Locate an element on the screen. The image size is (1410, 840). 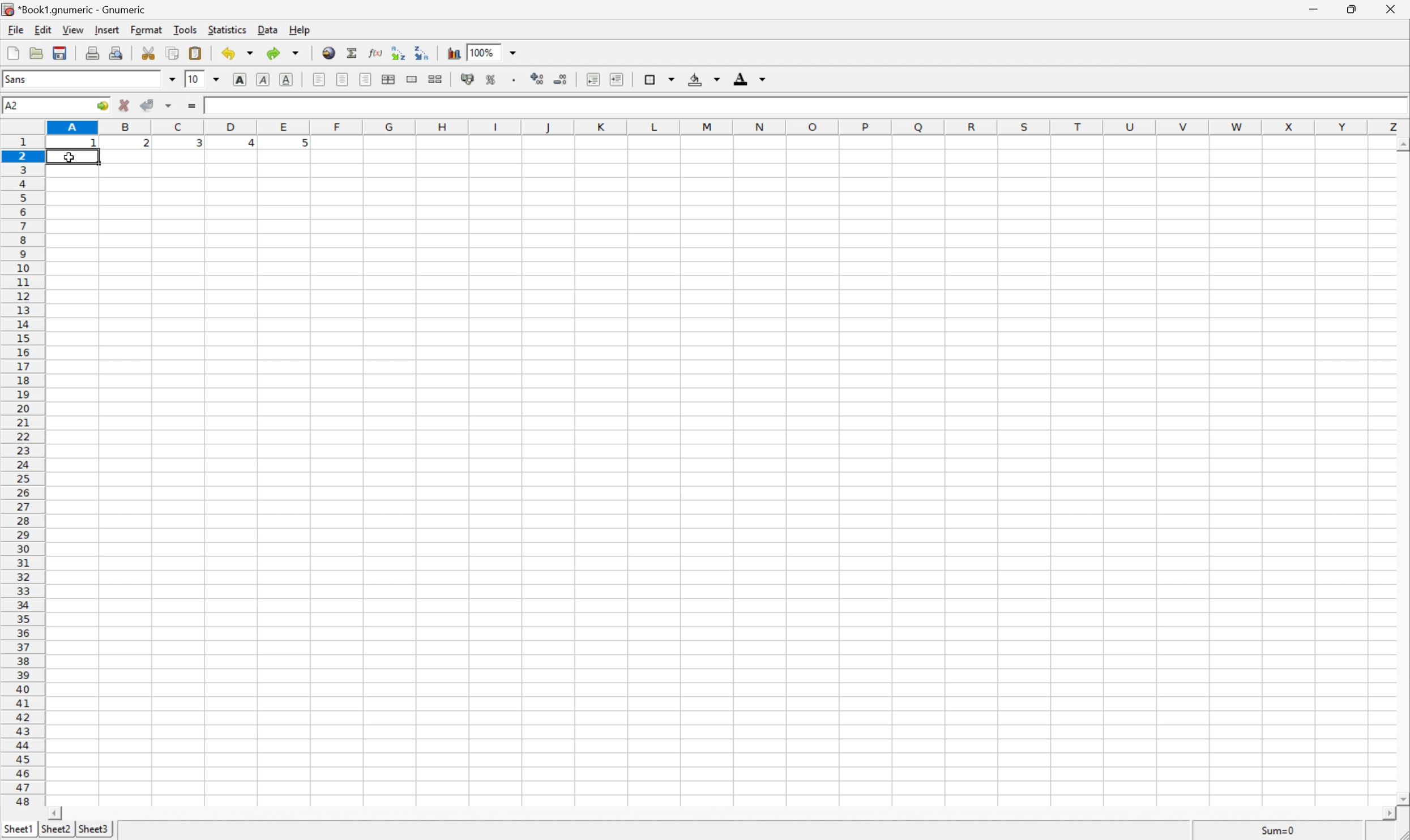
sheet1 is located at coordinates (17, 832).